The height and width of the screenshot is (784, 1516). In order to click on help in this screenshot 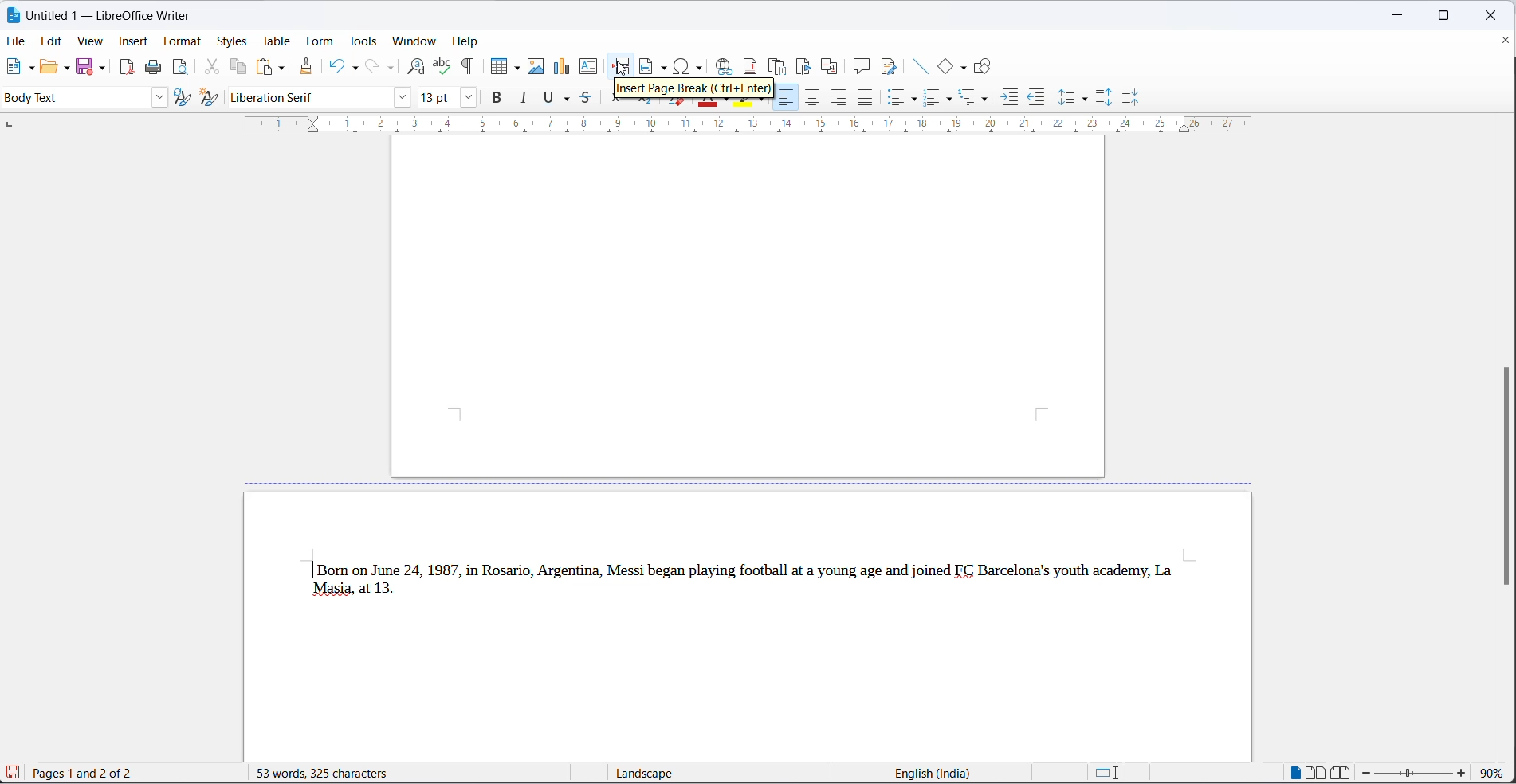, I will do `click(467, 41)`.